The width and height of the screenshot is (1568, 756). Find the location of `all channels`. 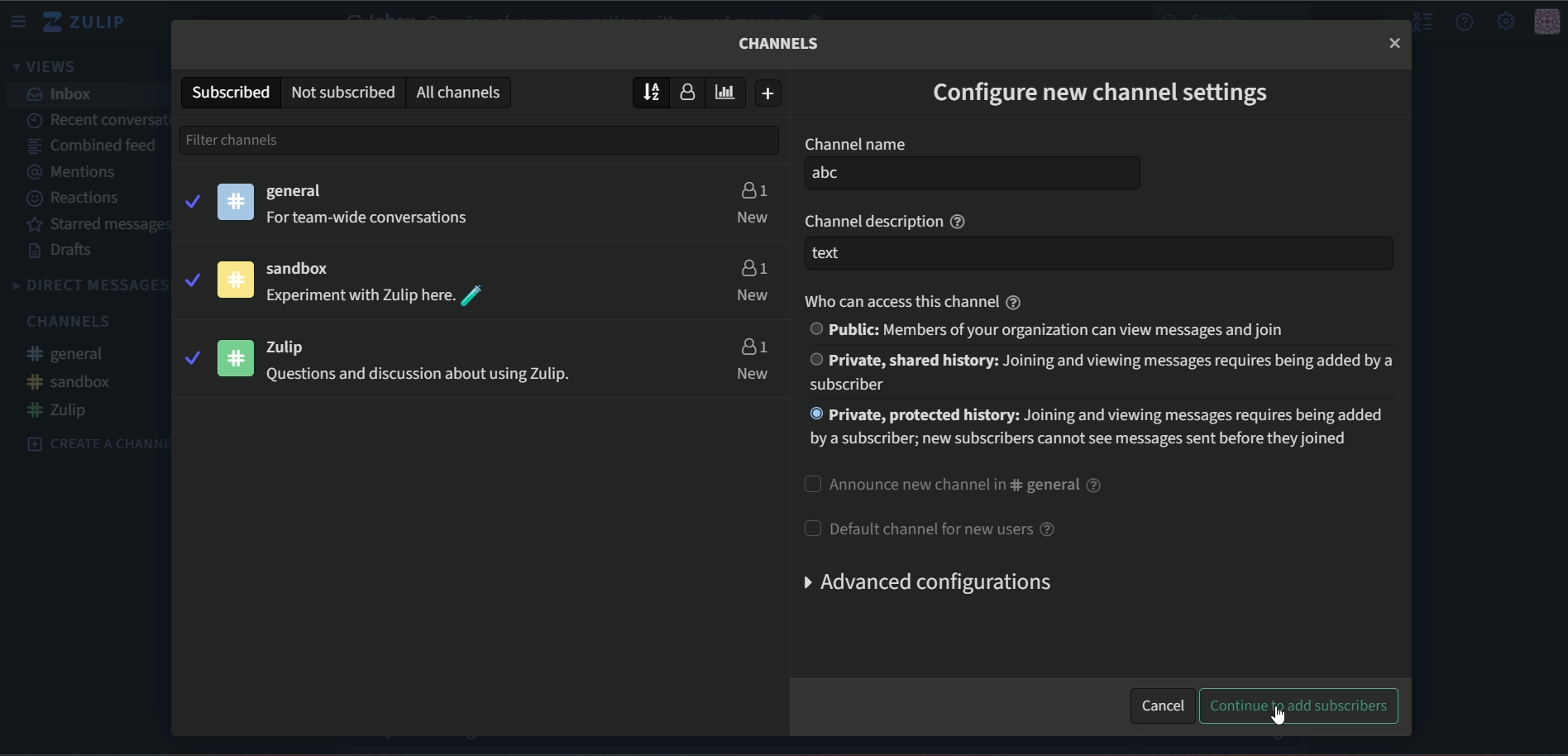

all channels is located at coordinates (462, 92).